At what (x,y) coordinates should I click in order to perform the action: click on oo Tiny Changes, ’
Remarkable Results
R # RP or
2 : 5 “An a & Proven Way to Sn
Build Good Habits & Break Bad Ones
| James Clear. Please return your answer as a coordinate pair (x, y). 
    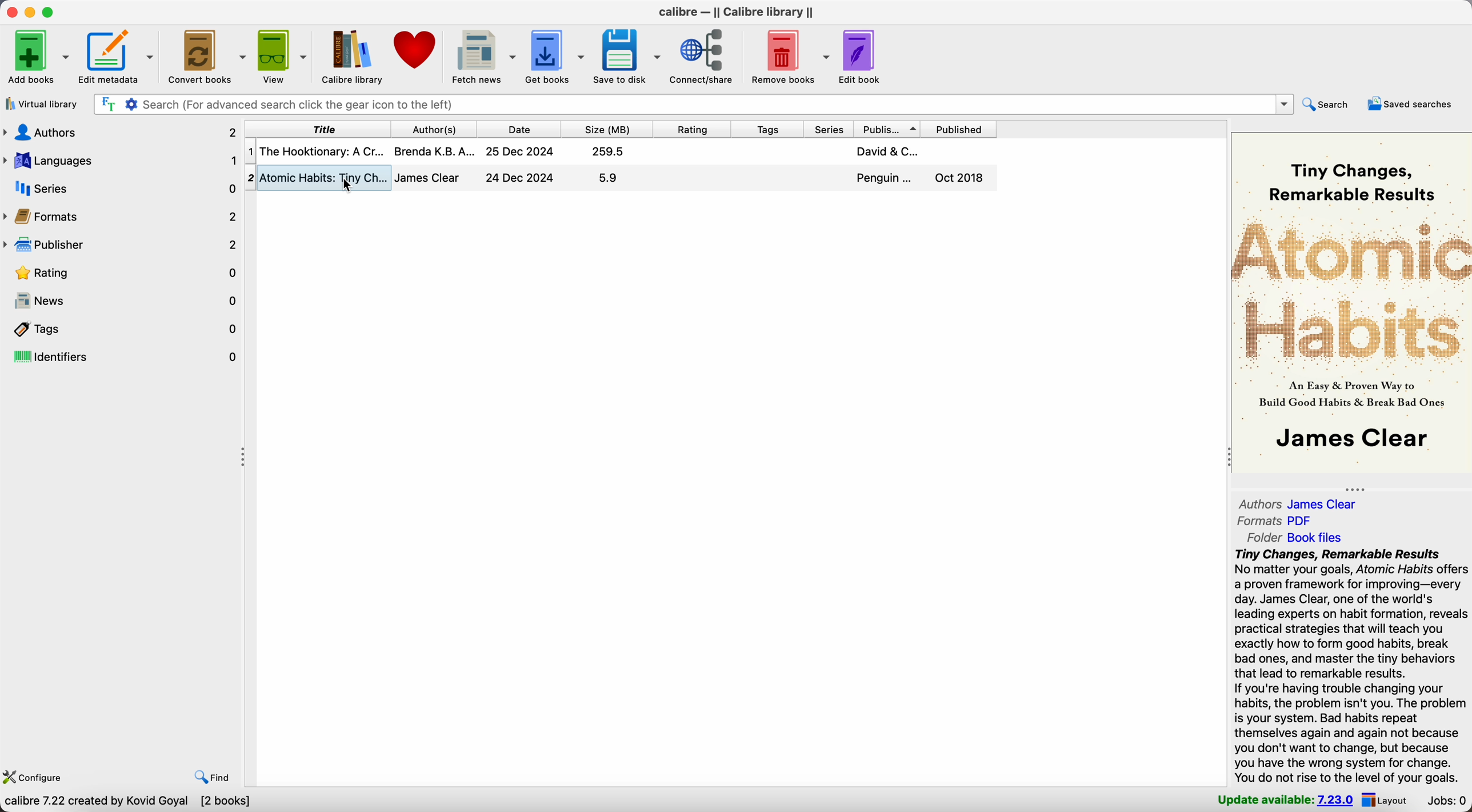
    Looking at the image, I should click on (1348, 304).